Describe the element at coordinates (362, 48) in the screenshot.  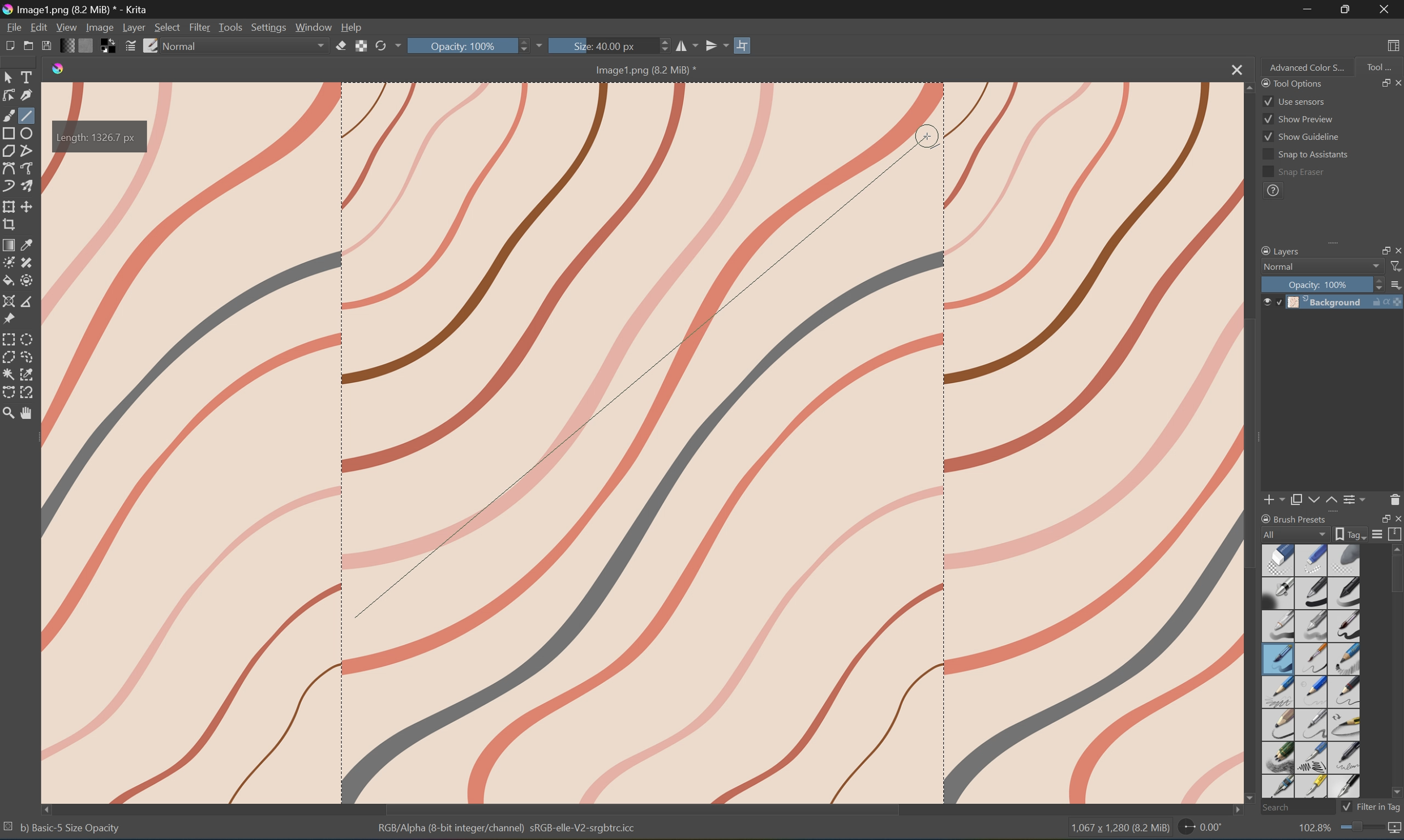
I see `Preserve alpha` at that location.